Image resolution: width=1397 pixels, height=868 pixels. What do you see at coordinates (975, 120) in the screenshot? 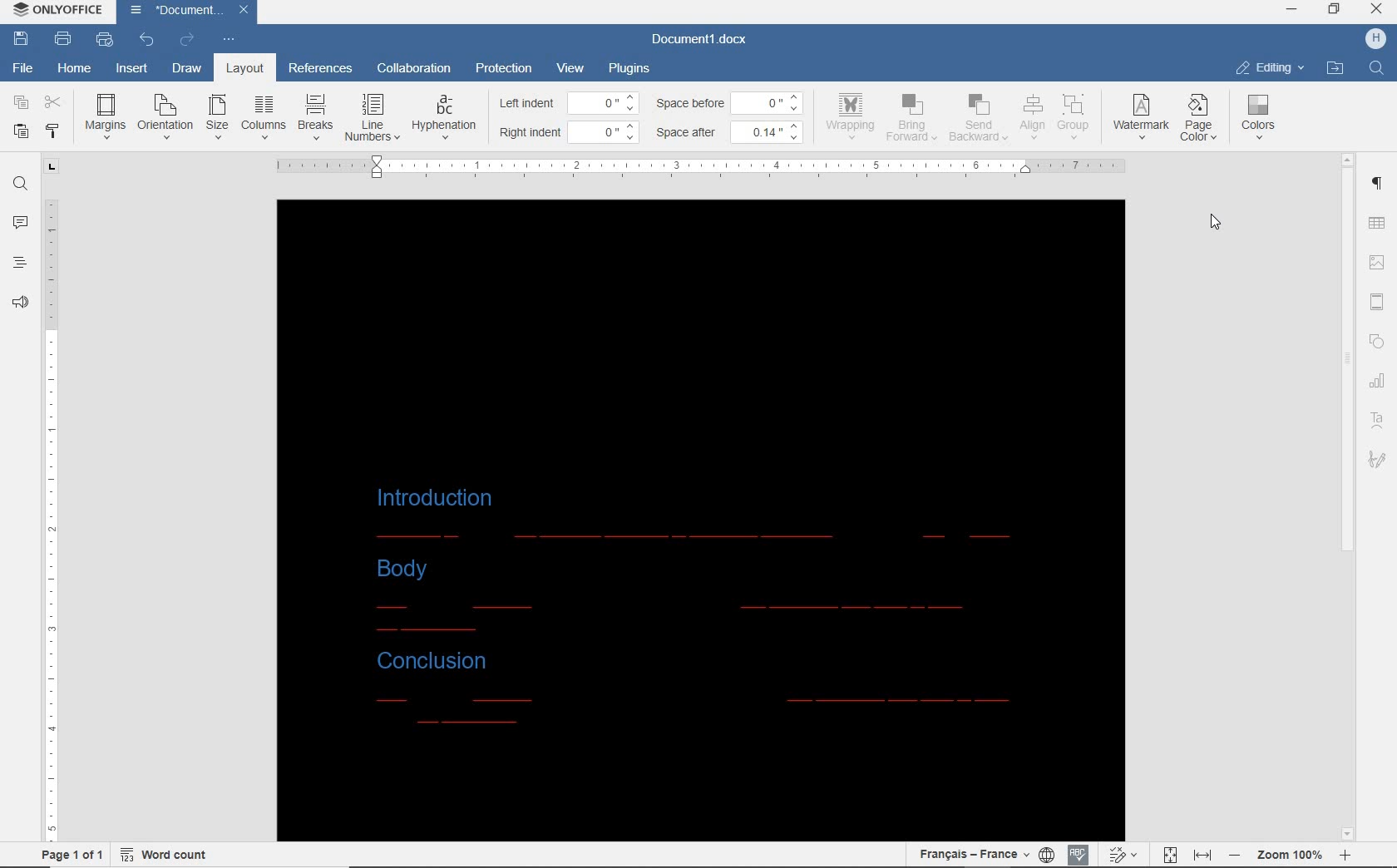
I see `send backward` at bounding box center [975, 120].